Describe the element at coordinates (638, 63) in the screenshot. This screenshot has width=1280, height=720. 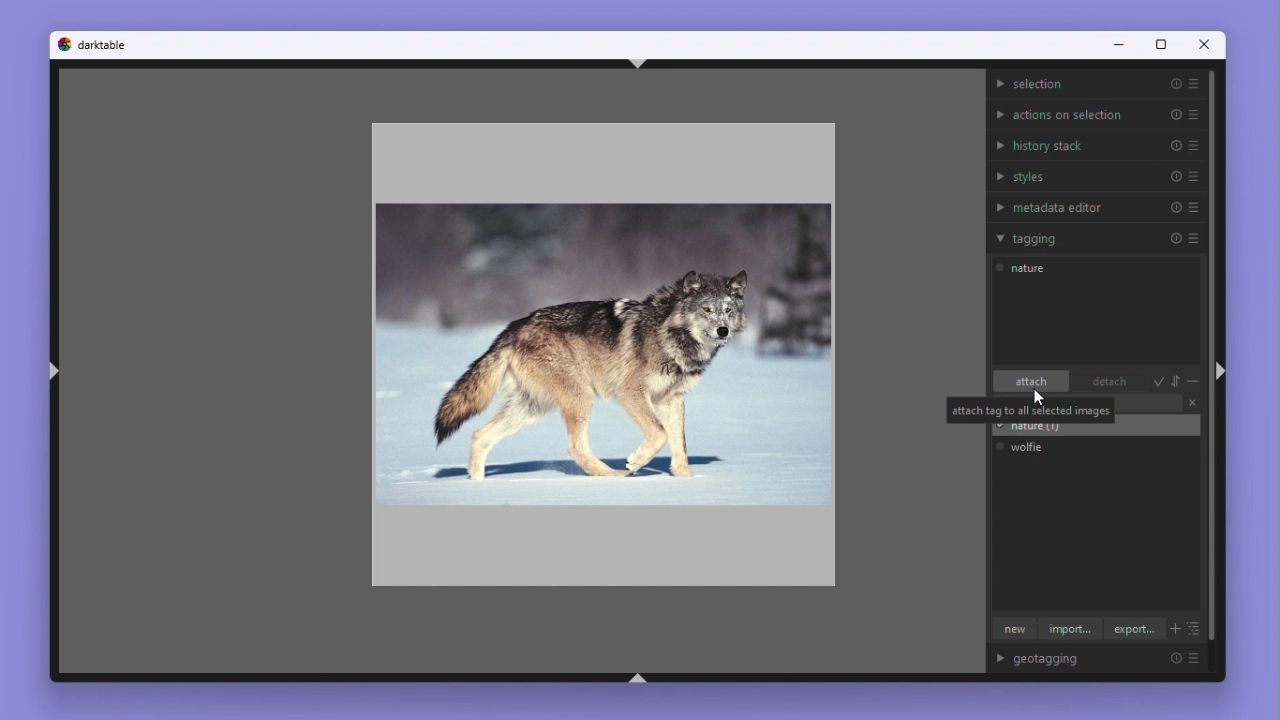
I see `ctrl+shift+t` at that location.